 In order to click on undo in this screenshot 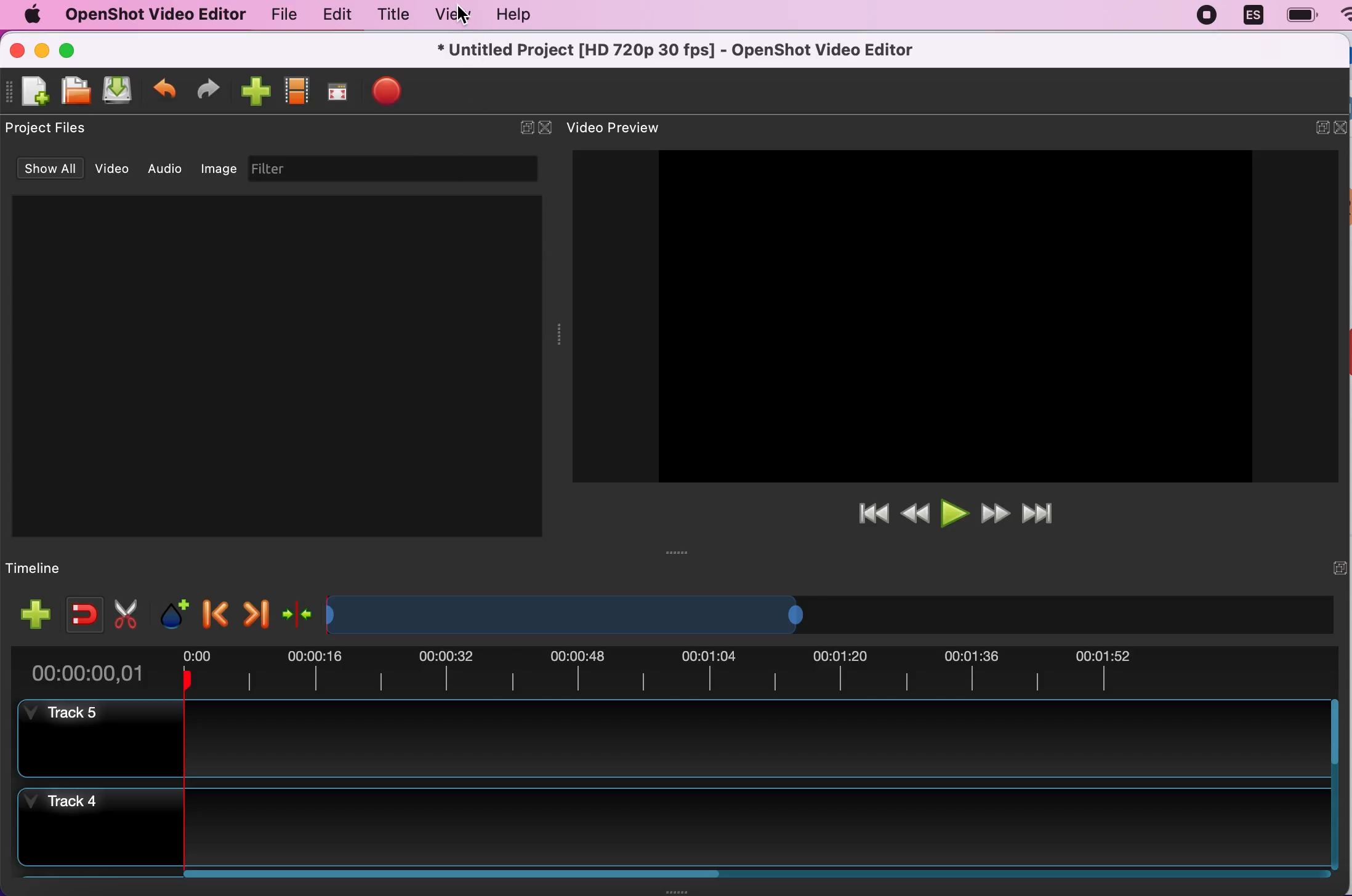, I will do `click(165, 86)`.